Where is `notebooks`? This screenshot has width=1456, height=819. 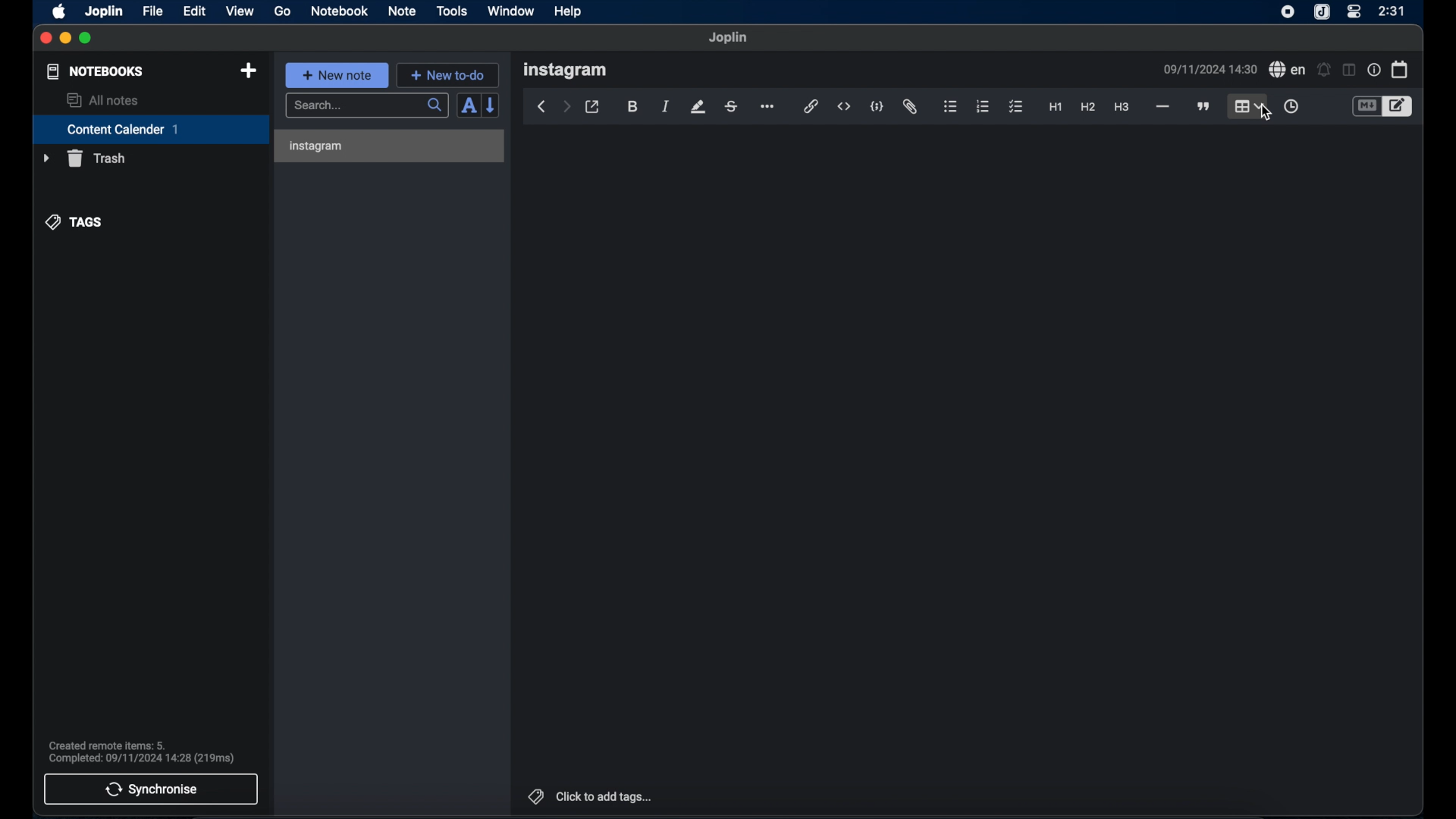 notebooks is located at coordinates (96, 71).